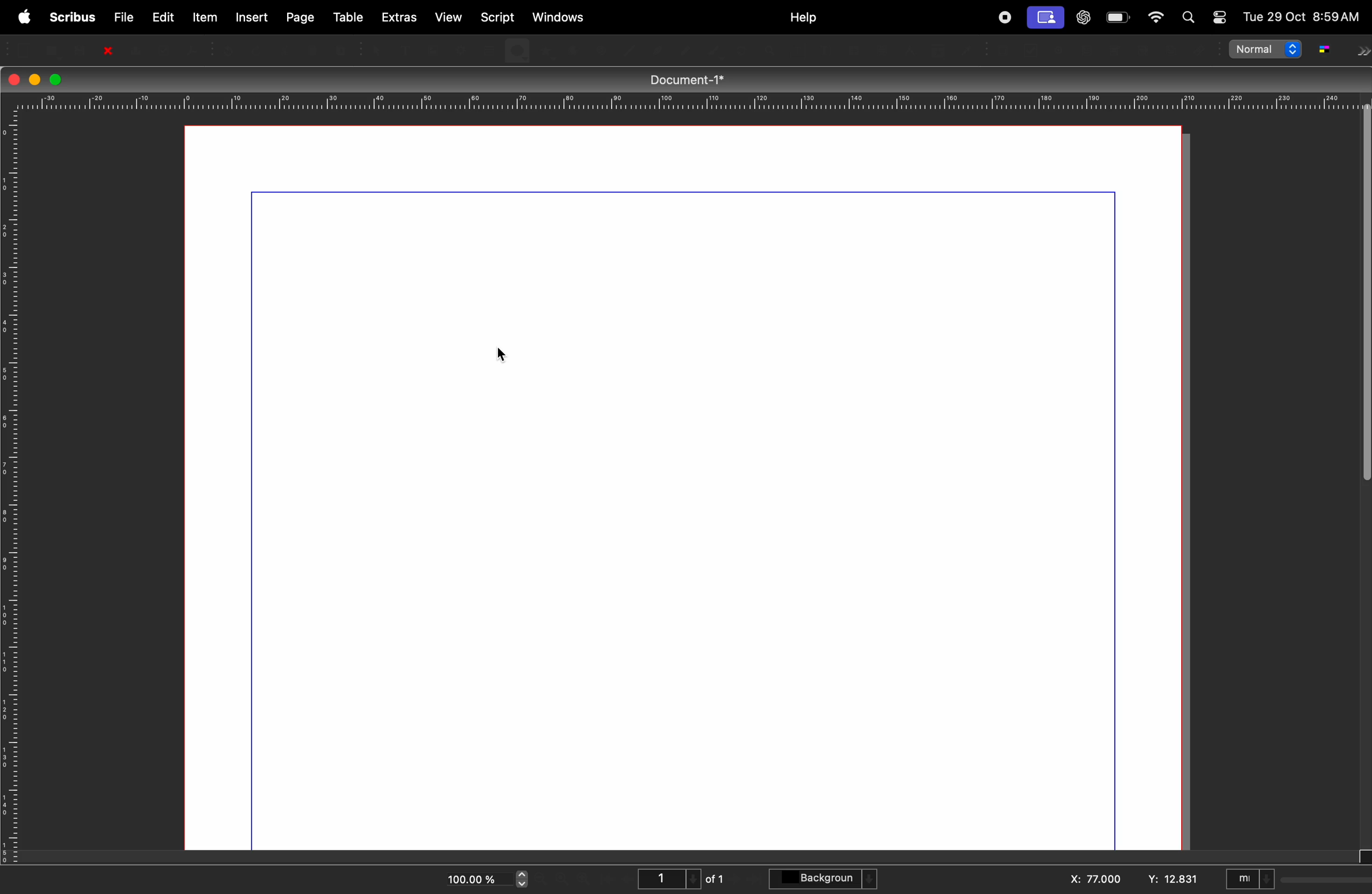 Image resolution: width=1372 pixels, height=894 pixels. Describe the element at coordinates (1218, 13) in the screenshot. I see `toggle` at that location.